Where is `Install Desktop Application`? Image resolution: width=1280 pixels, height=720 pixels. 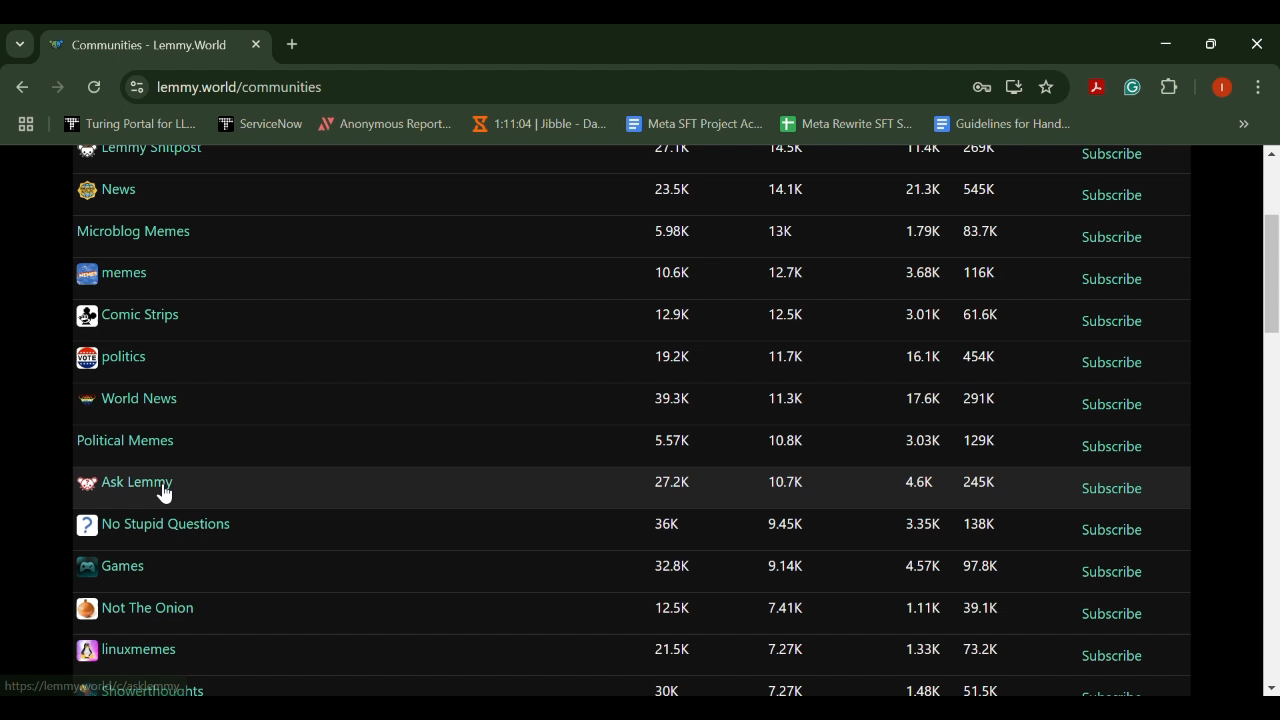 Install Desktop Application is located at coordinates (1013, 87).